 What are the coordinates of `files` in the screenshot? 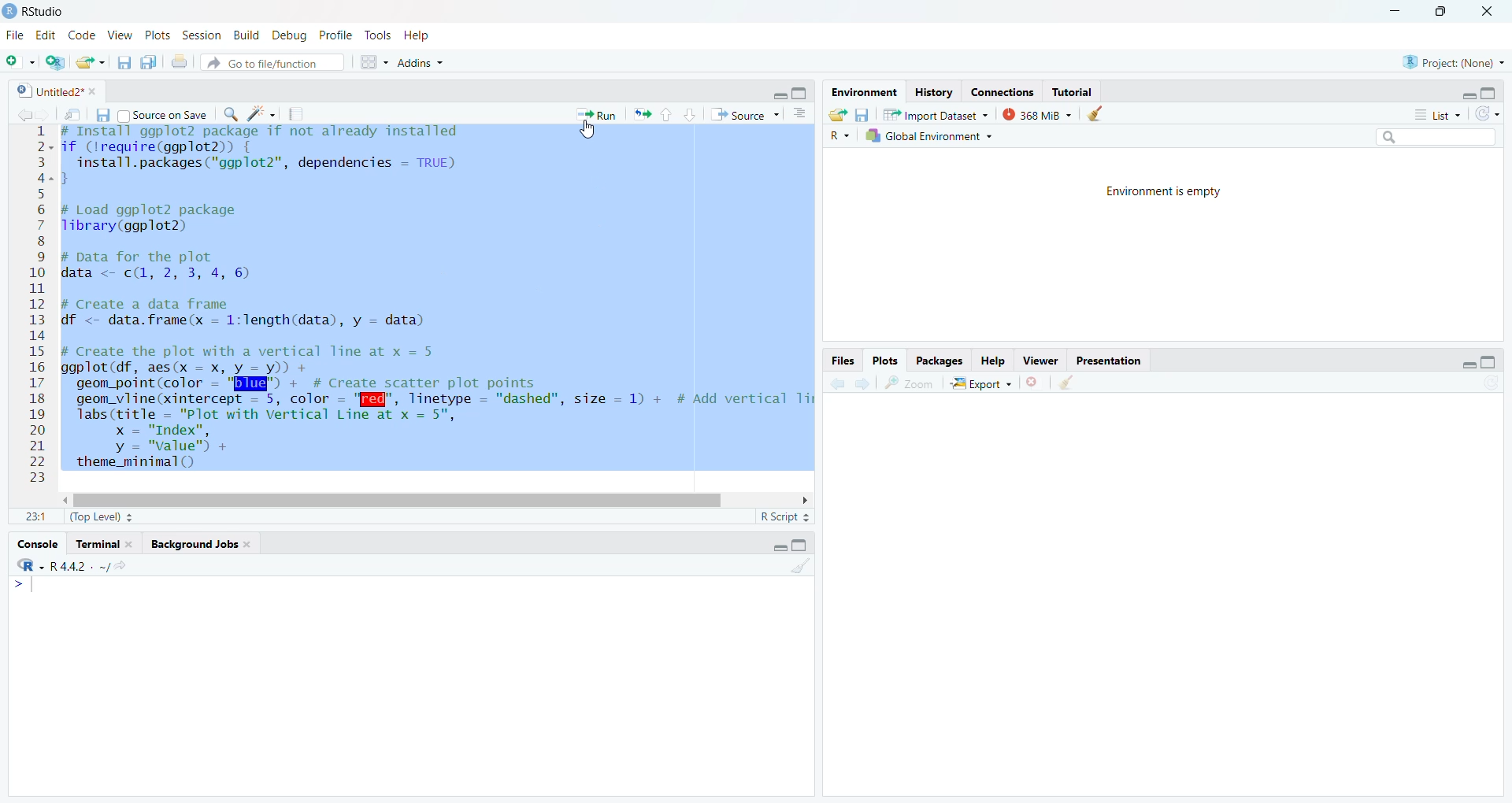 It's located at (864, 115).